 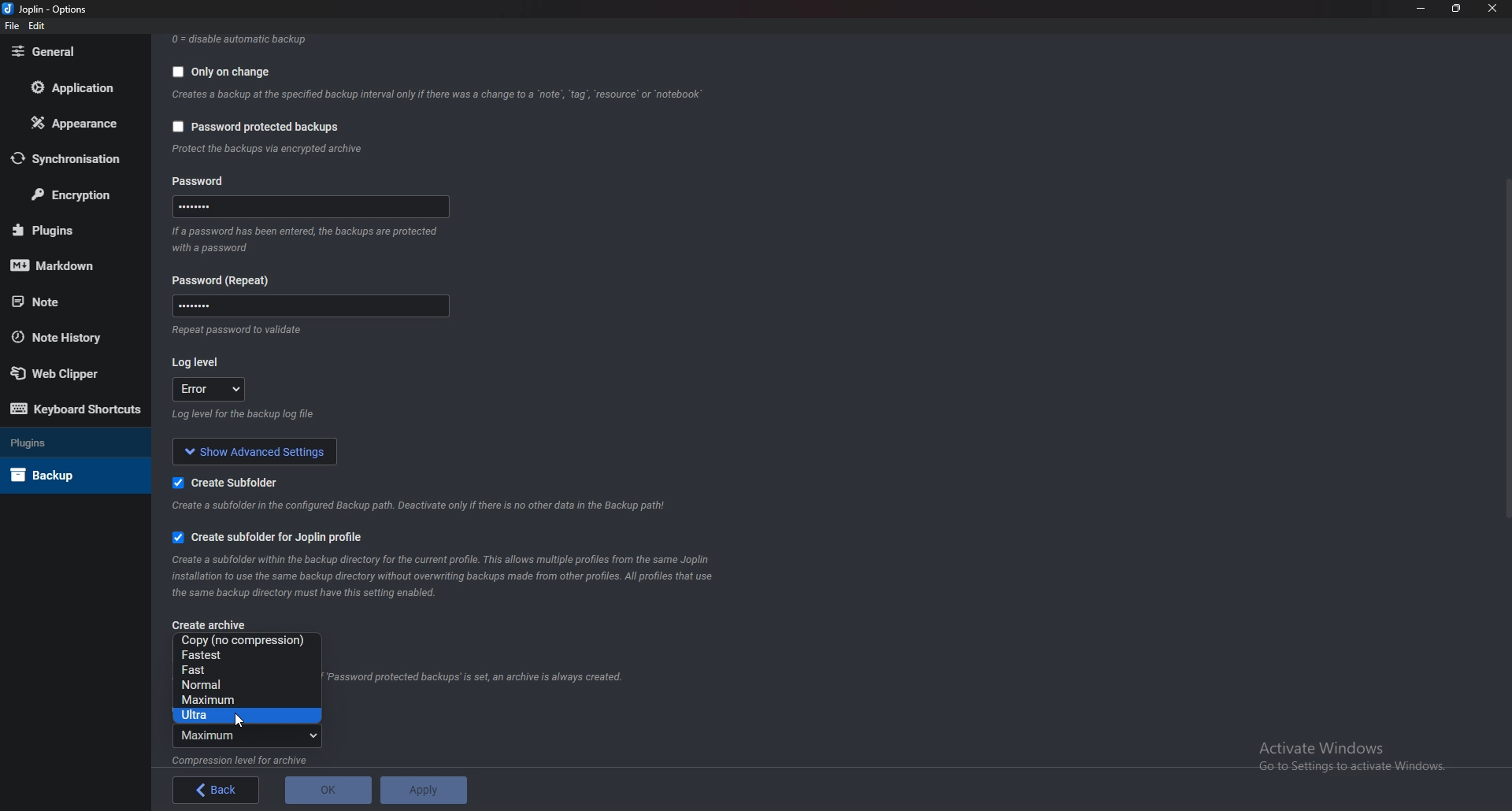 I want to click on Password, so click(x=221, y=279).